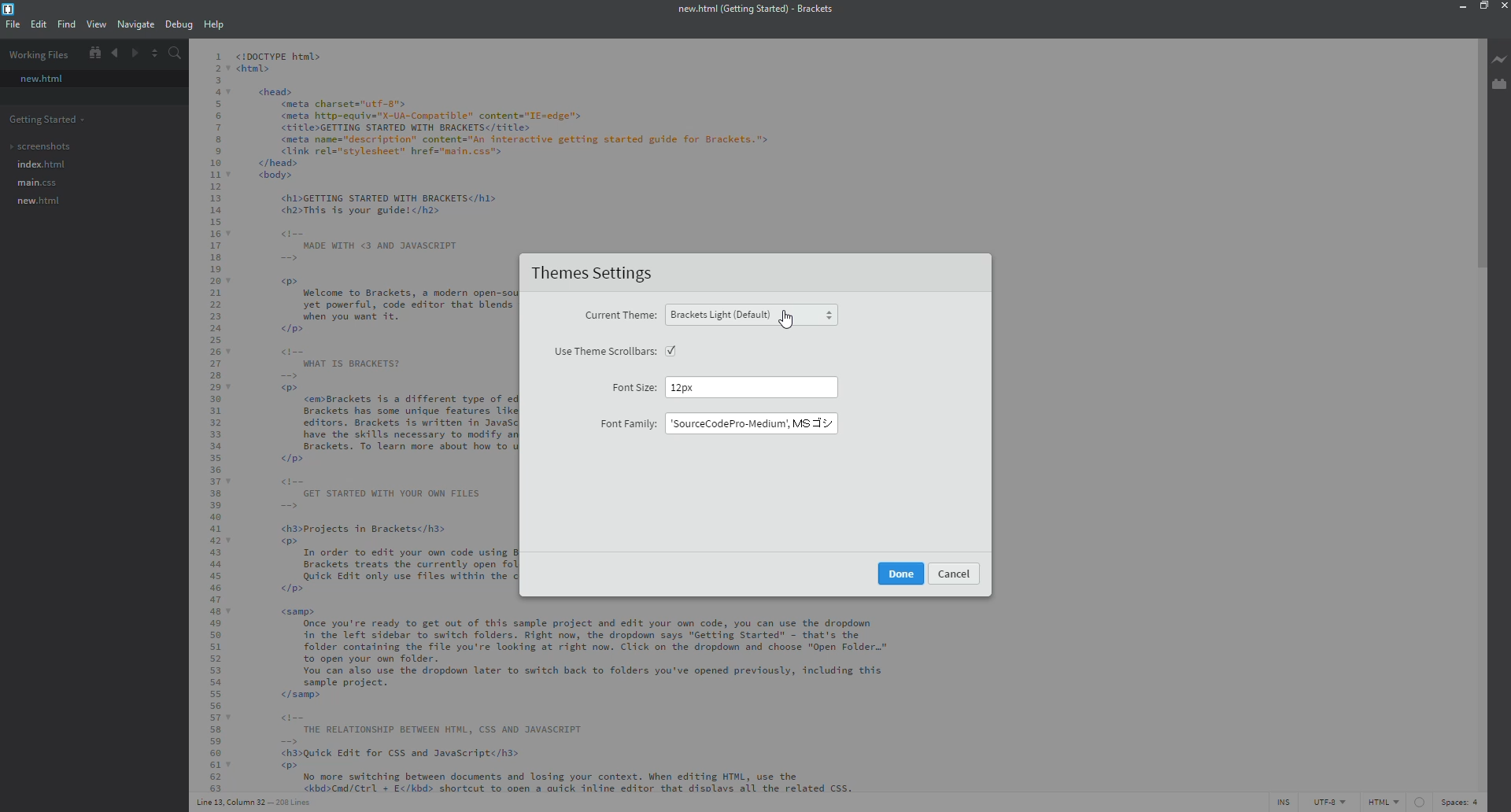 This screenshot has height=812, width=1511. What do you see at coordinates (1332, 802) in the screenshot?
I see `utf` at bounding box center [1332, 802].